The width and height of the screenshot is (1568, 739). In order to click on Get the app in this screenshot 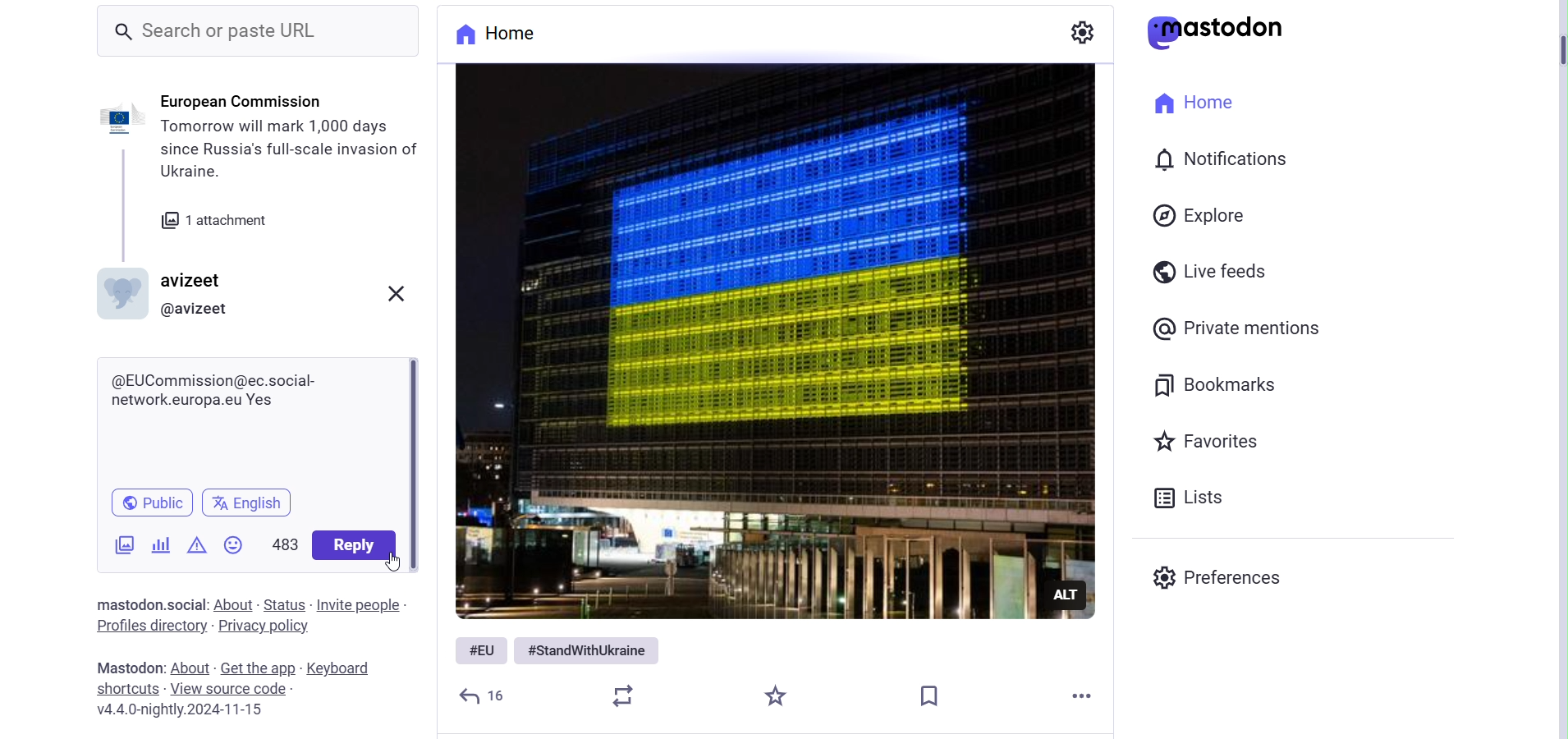, I will do `click(260, 669)`.